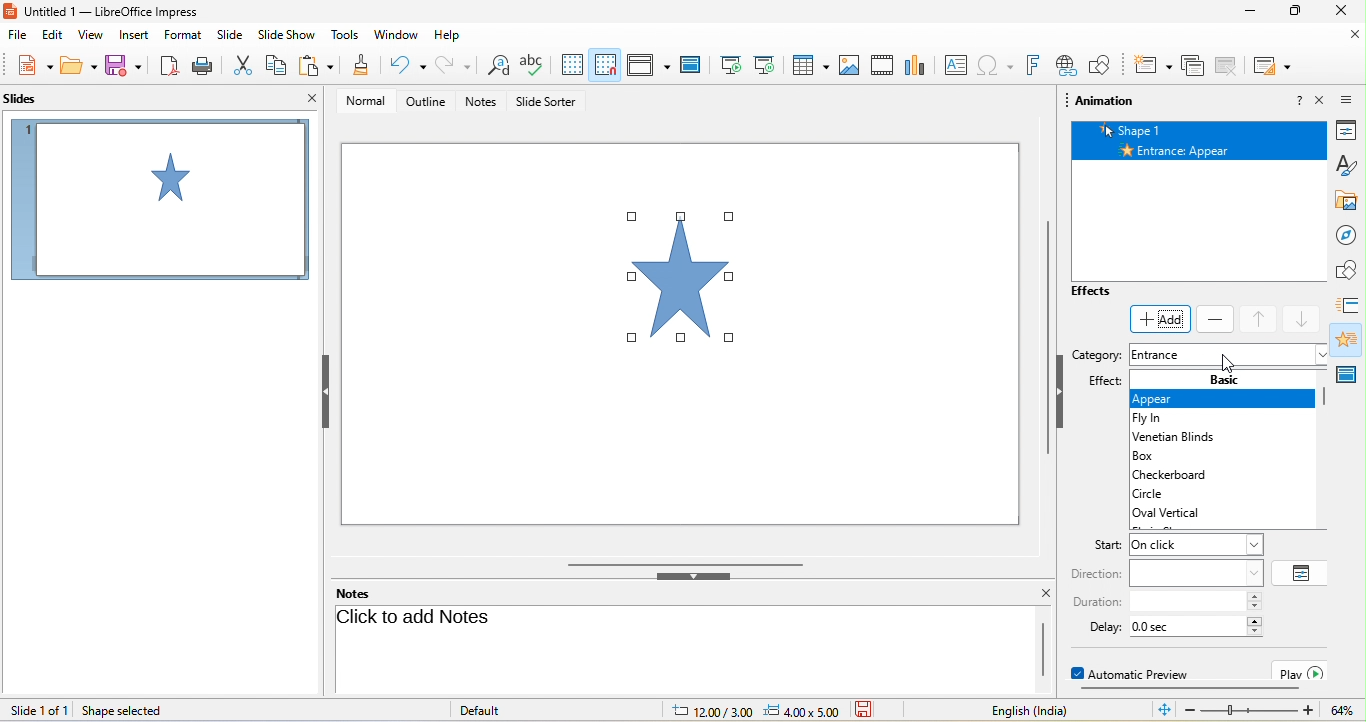  I want to click on snap to grid, so click(605, 62).